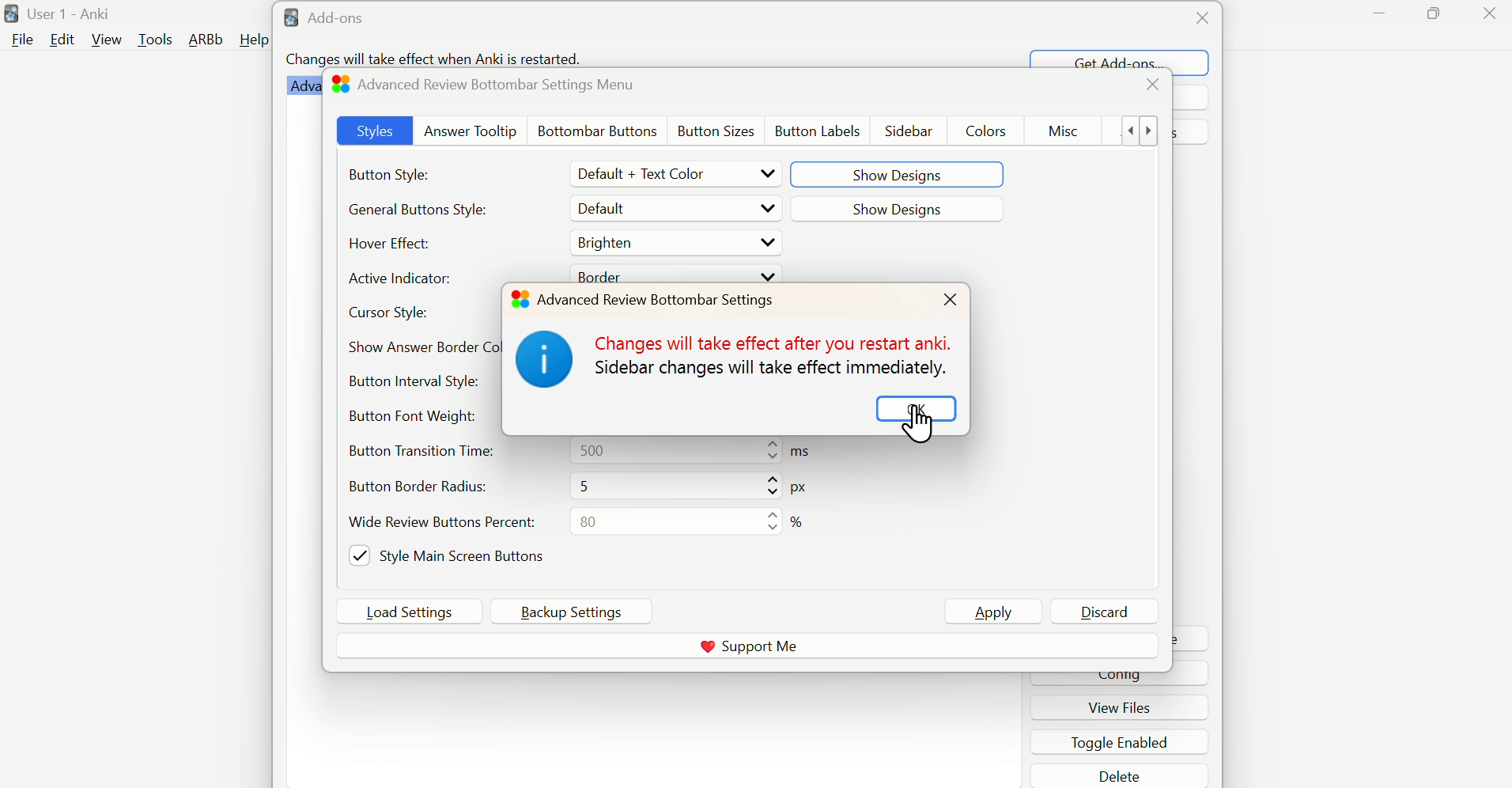 The width and height of the screenshot is (1512, 788). Describe the element at coordinates (467, 133) in the screenshot. I see `Answer Tooltip` at that location.